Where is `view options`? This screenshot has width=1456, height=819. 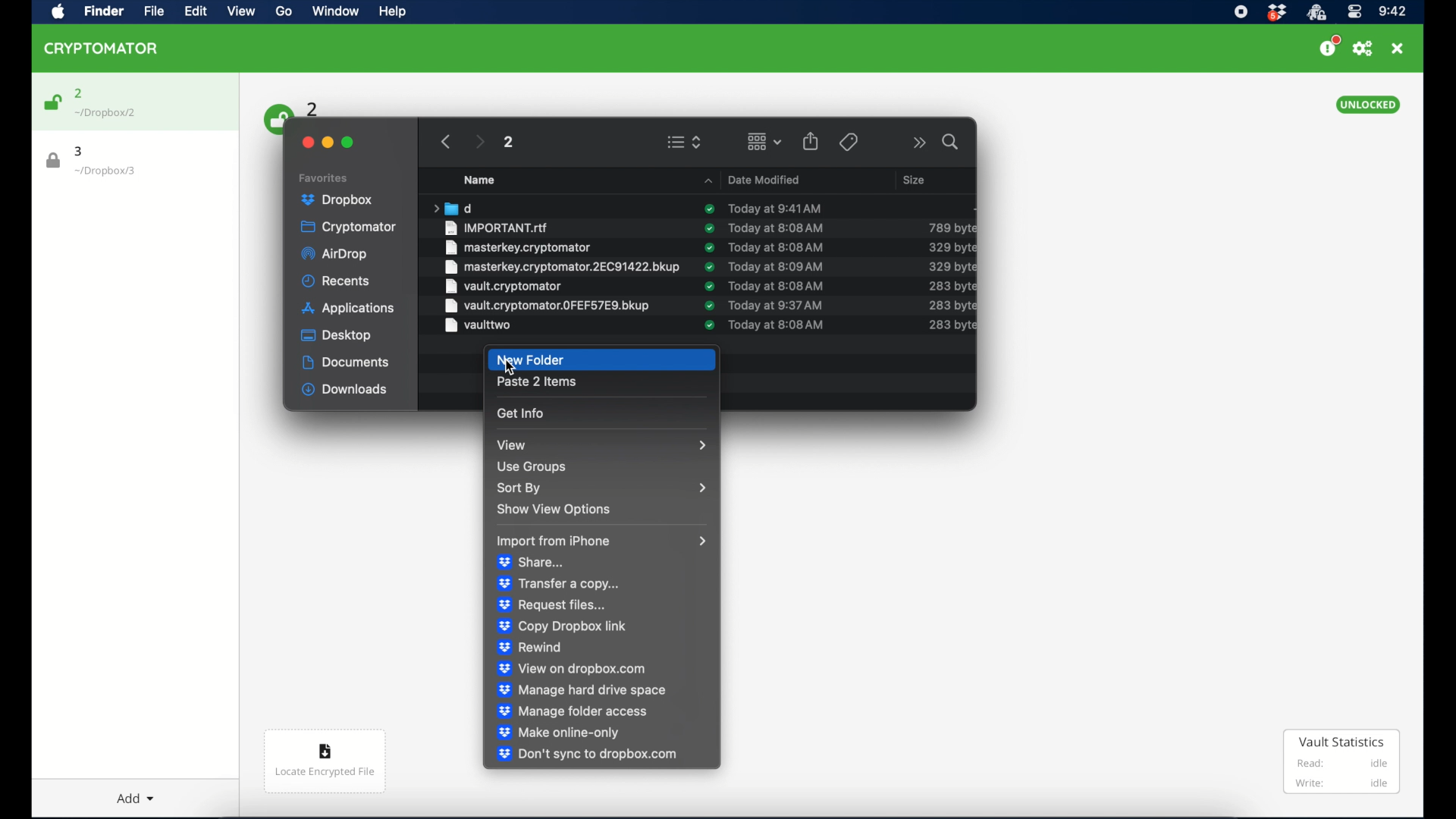
view options is located at coordinates (684, 142).